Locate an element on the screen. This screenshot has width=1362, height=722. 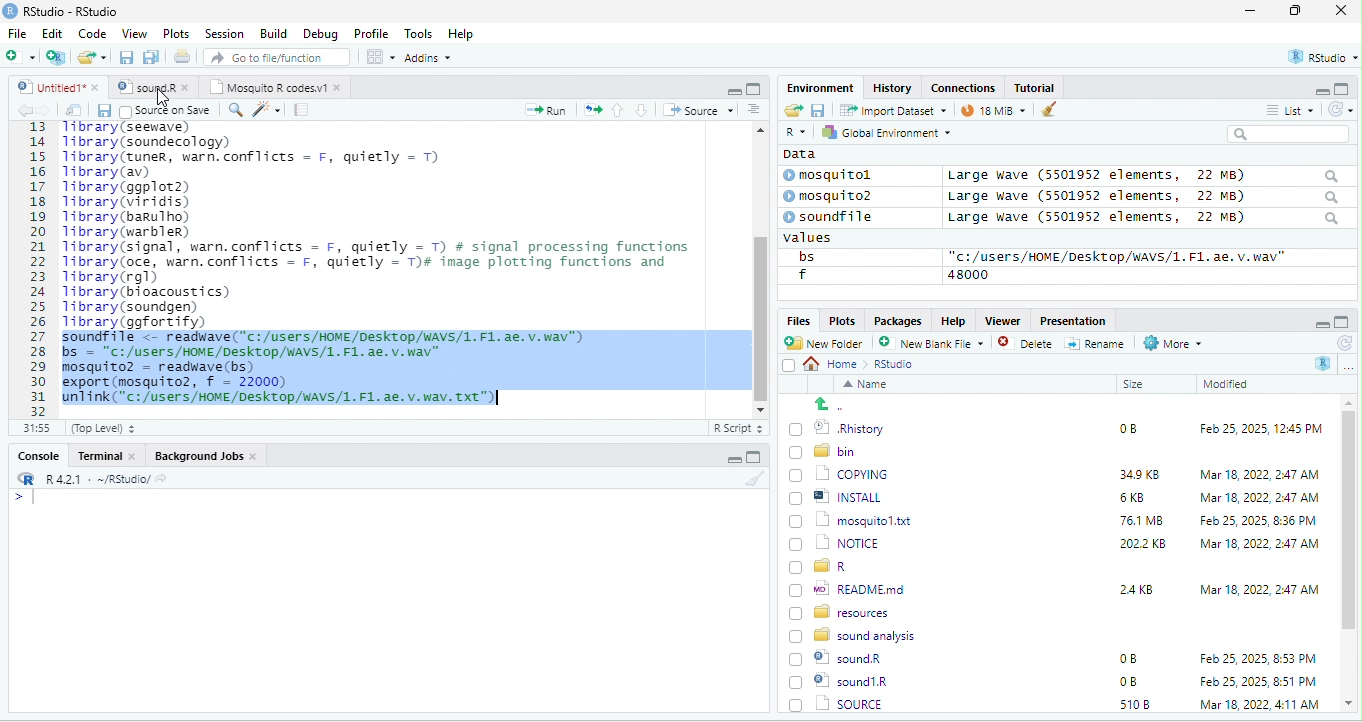
wo| READMEmd is located at coordinates (852, 588).